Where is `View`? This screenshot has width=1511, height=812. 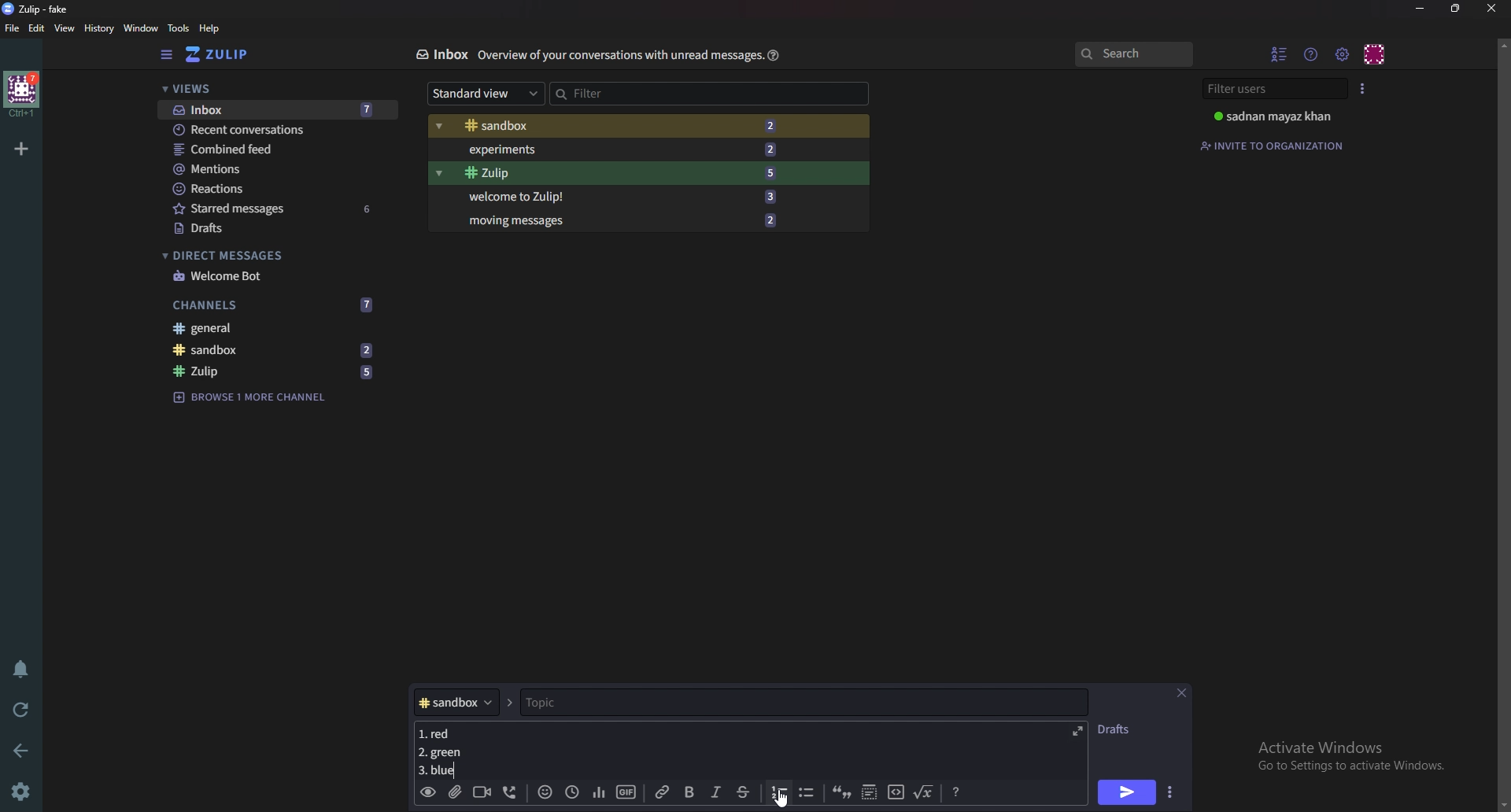 View is located at coordinates (65, 29).